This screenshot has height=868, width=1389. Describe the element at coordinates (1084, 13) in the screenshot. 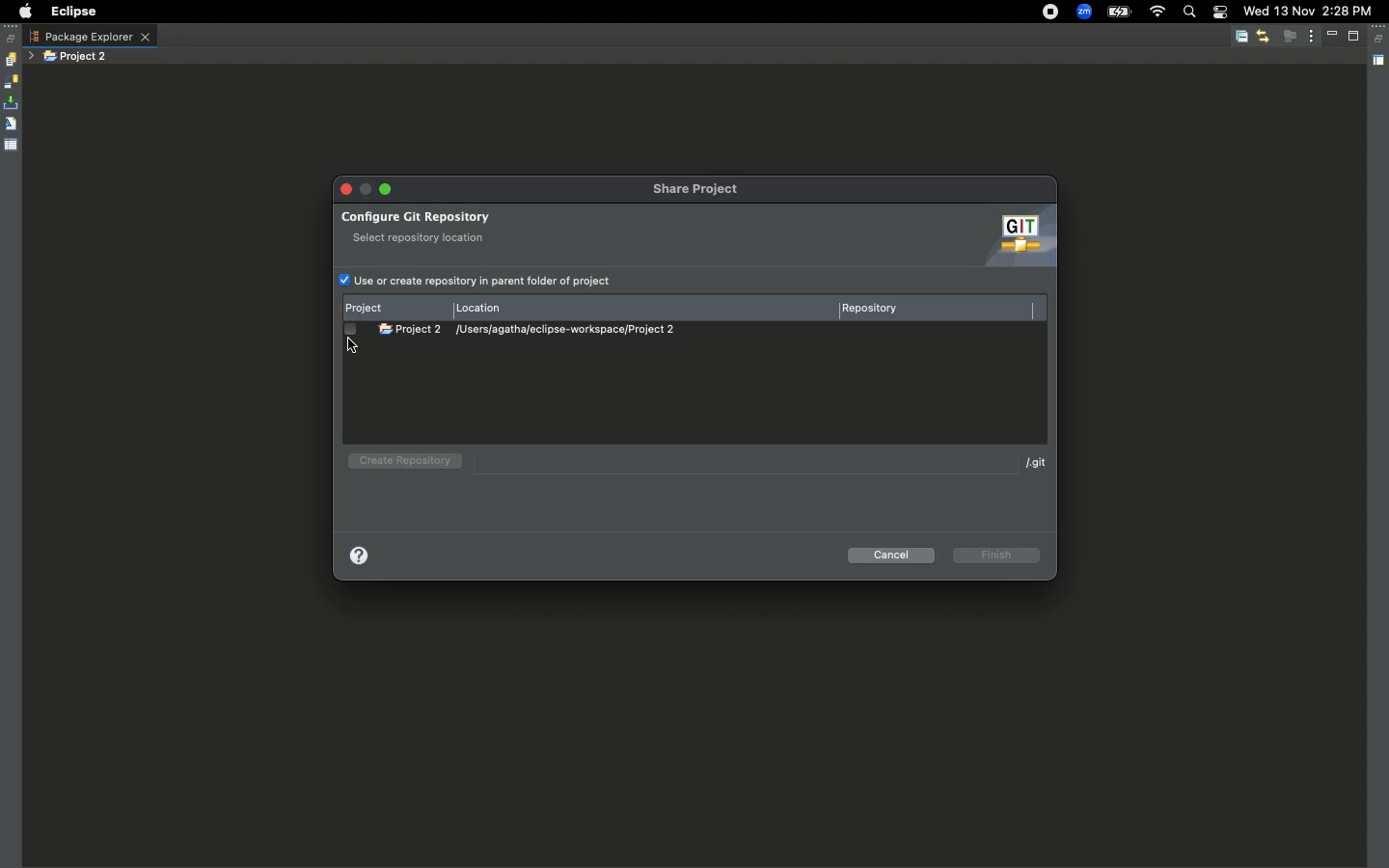

I see `Zoom` at that location.